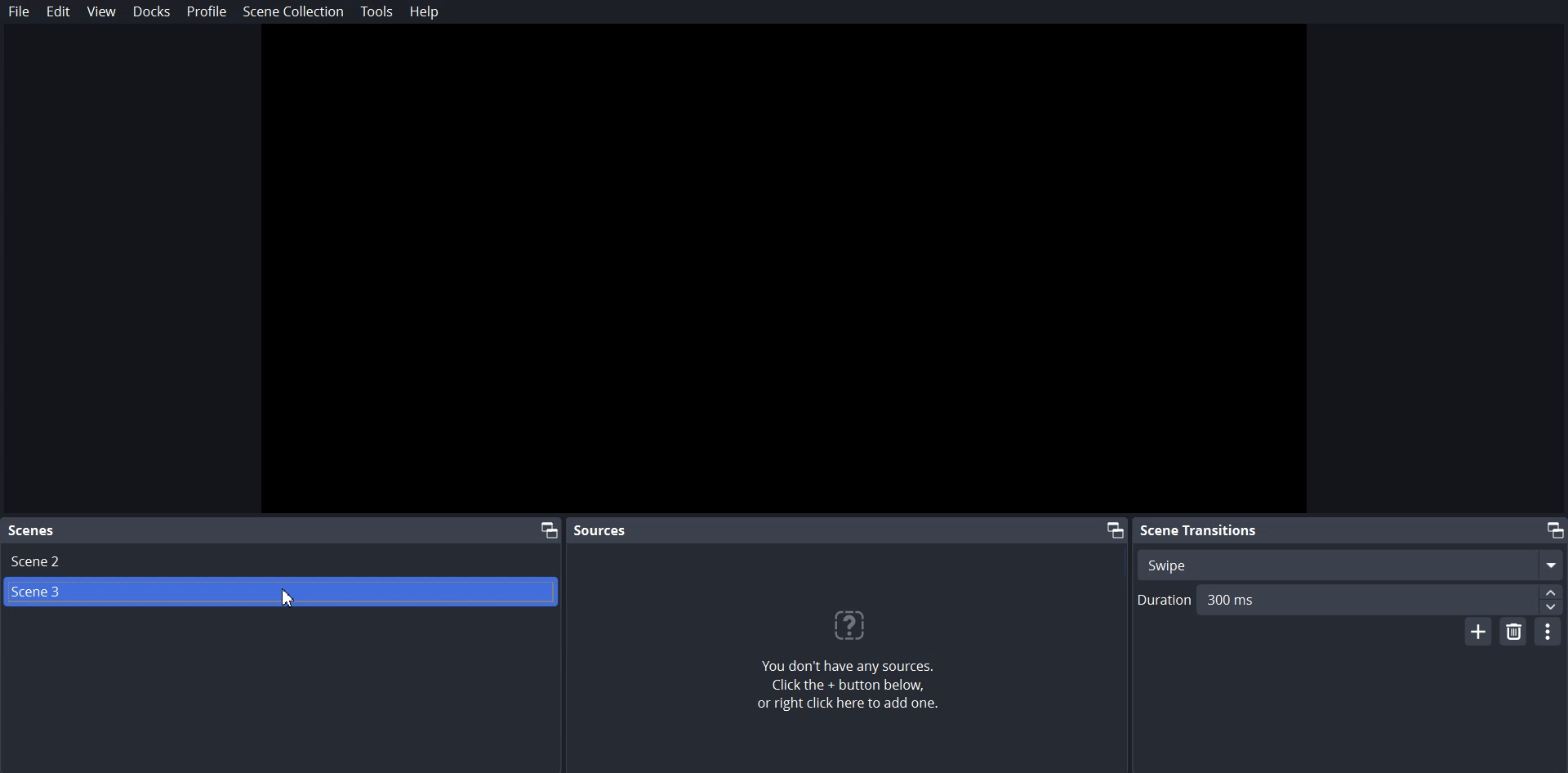 This screenshot has width=1568, height=773. Describe the element at coordinates (102, 12) in the screenshot. I see `View` at that location.